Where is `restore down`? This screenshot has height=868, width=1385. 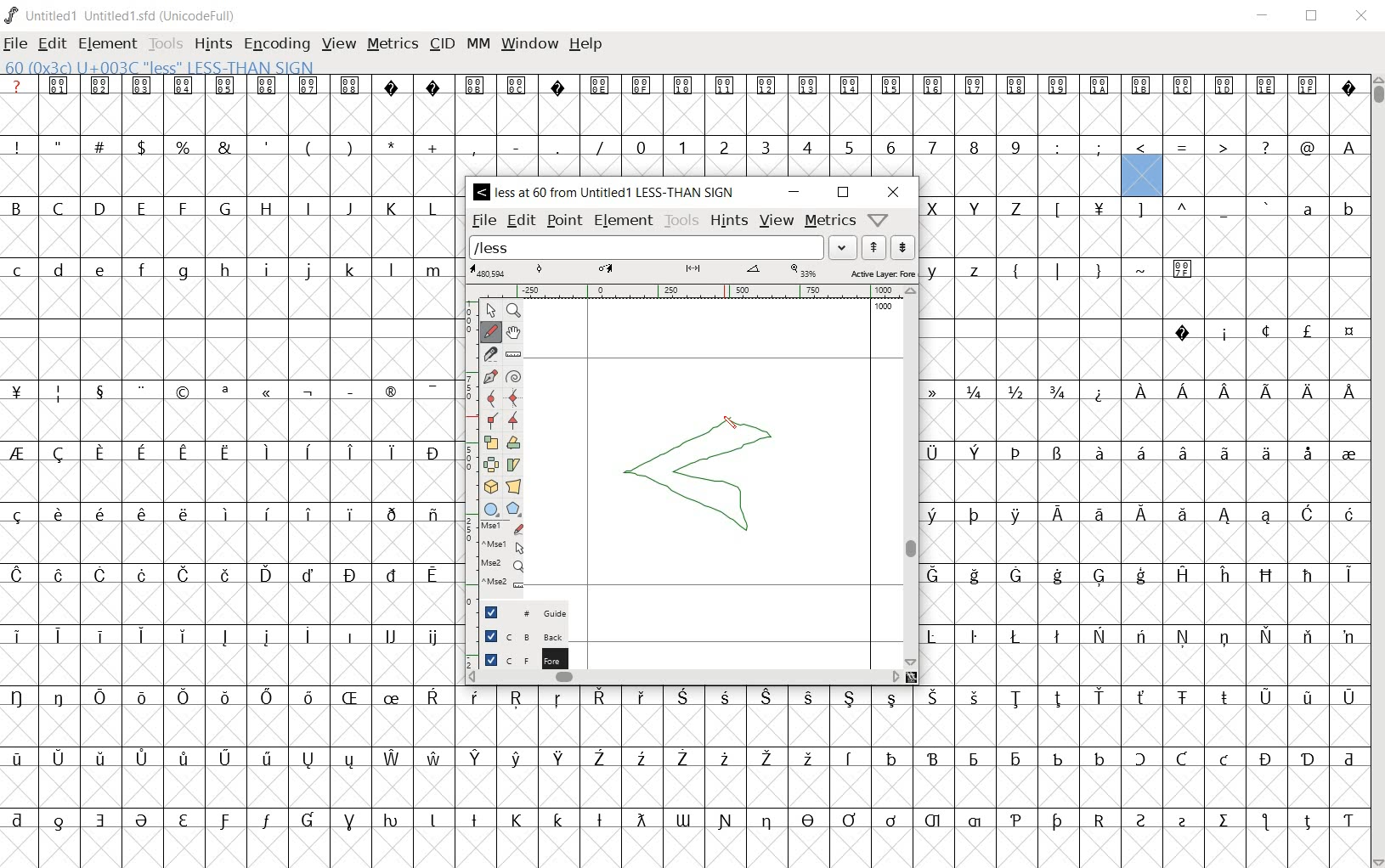
restore down is located at coordinates (1313, 15).